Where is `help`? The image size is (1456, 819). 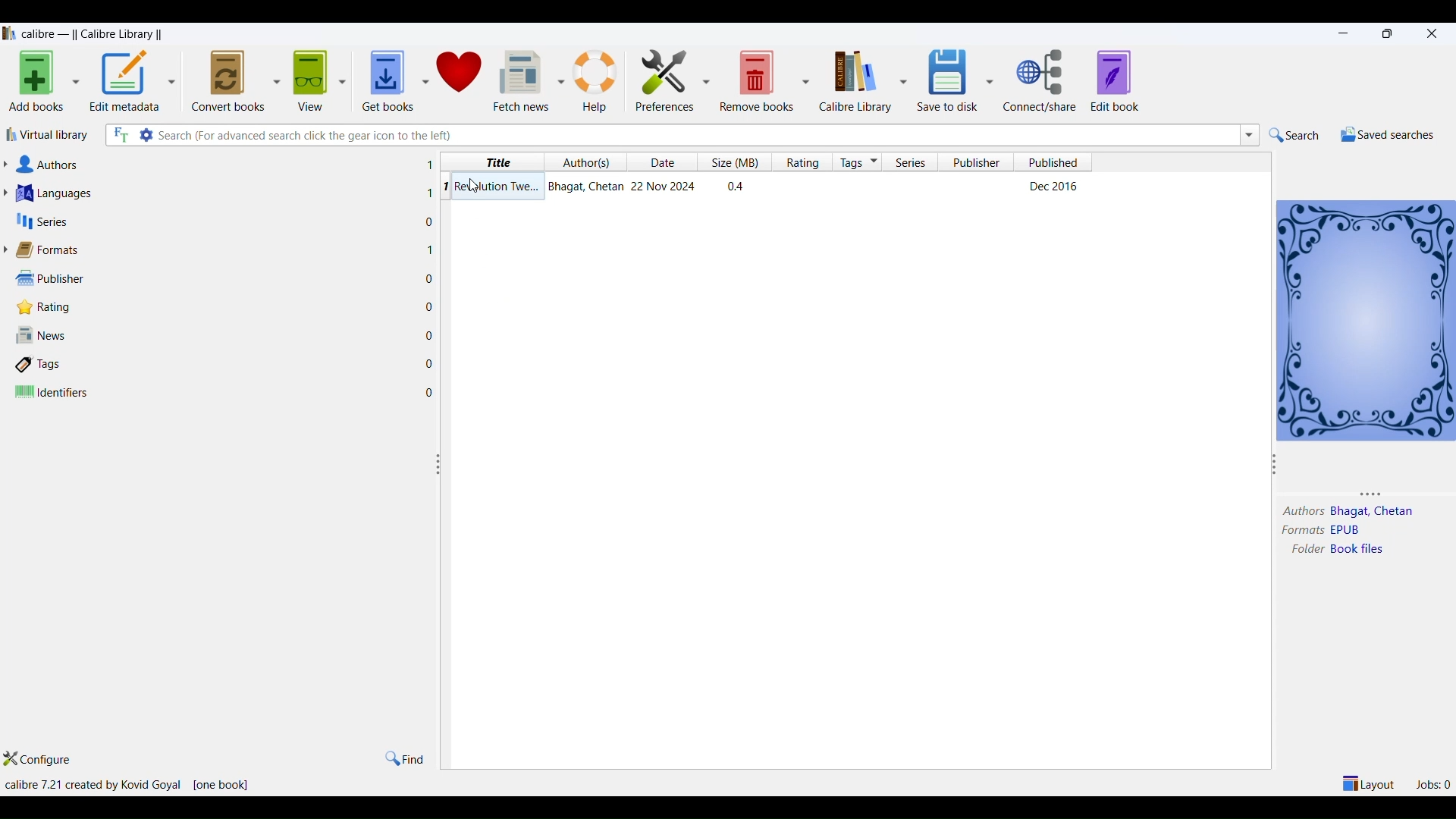 help is located at coordinates (598, 75).